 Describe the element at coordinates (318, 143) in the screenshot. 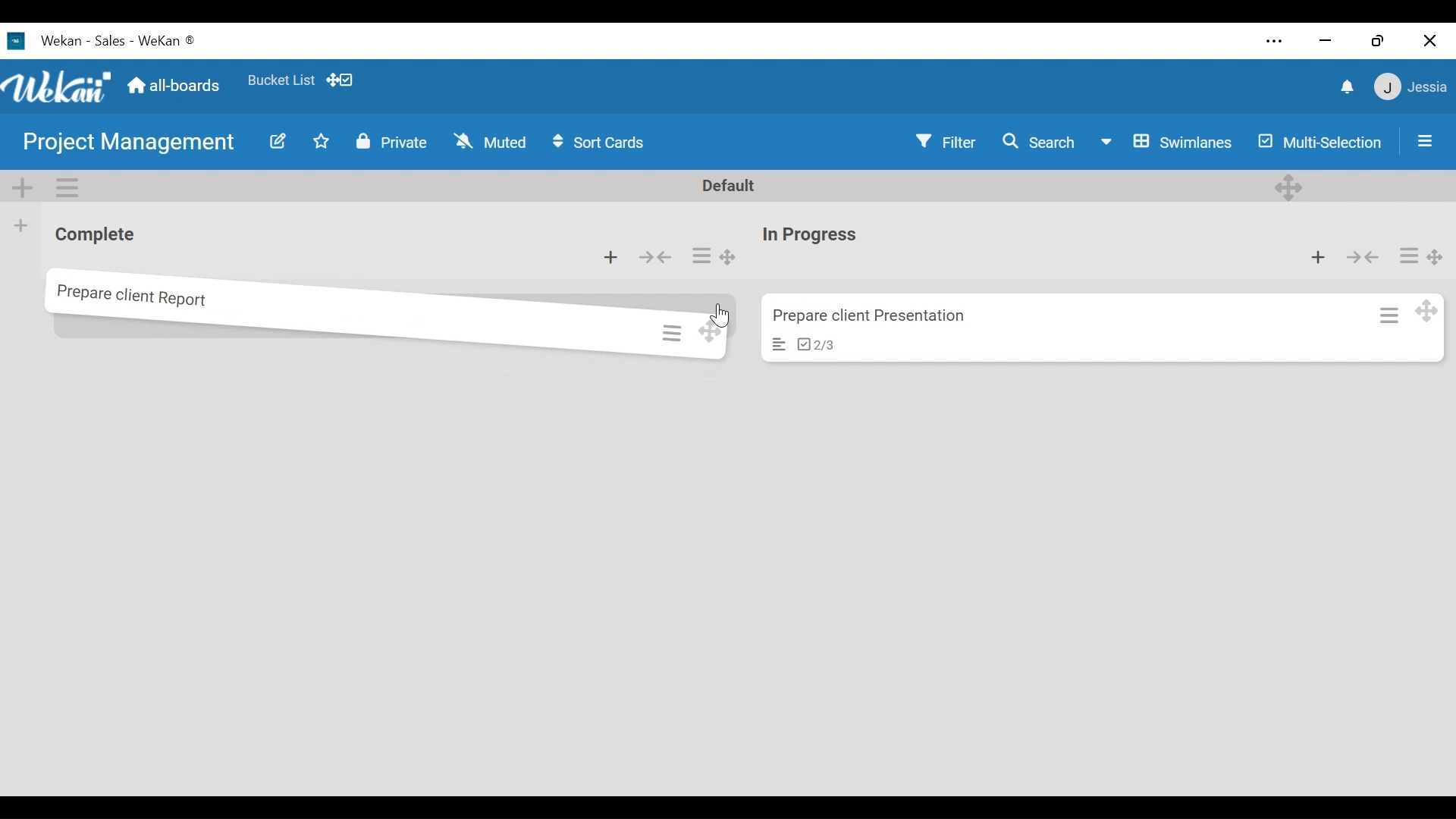

I see `Toggle Favorite` at that location.